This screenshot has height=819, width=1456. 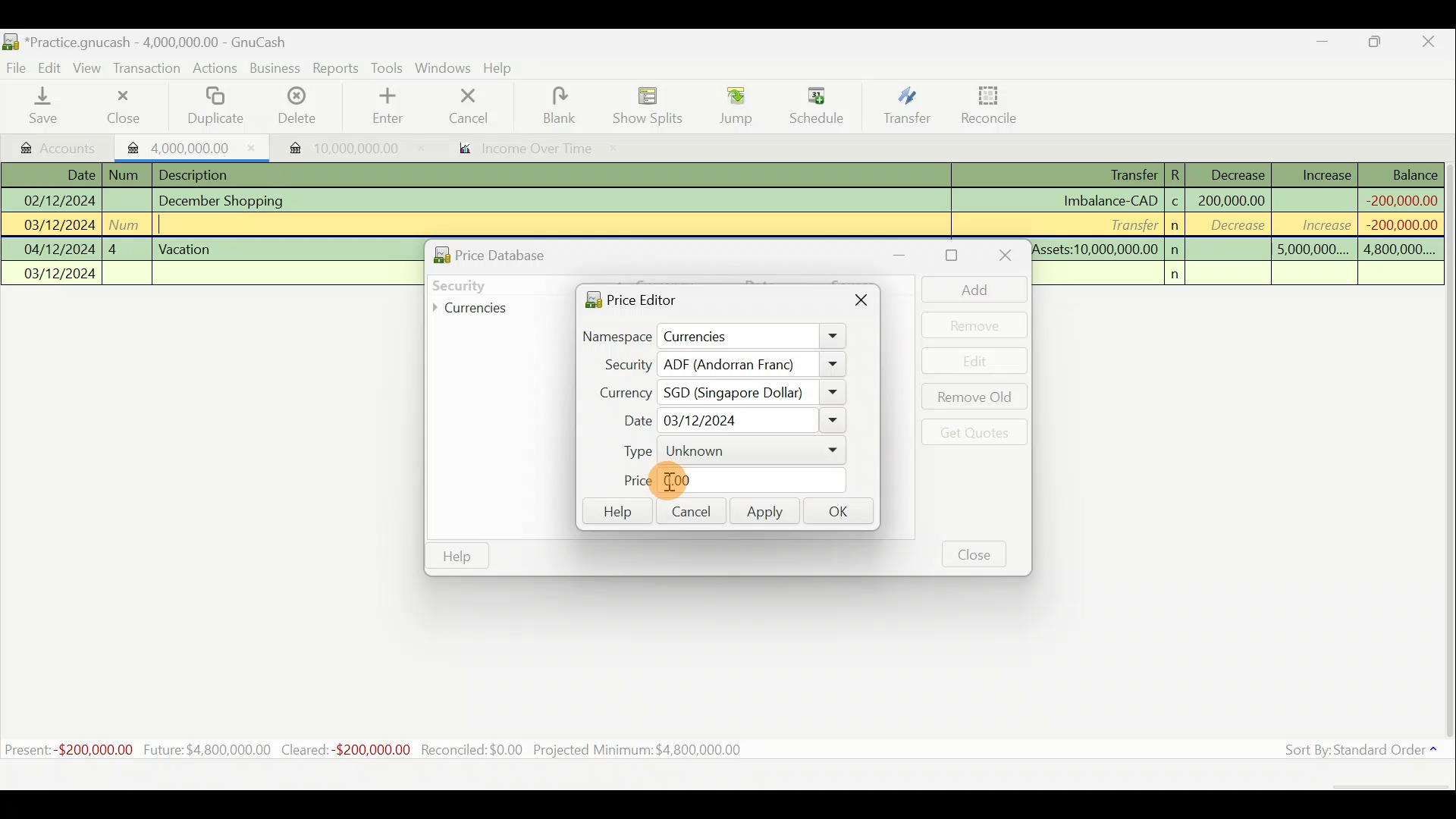 What do you see at coordinates (60, 249) in the screenshot?
I see `04/12/2024` at bounding box center [60, 249].